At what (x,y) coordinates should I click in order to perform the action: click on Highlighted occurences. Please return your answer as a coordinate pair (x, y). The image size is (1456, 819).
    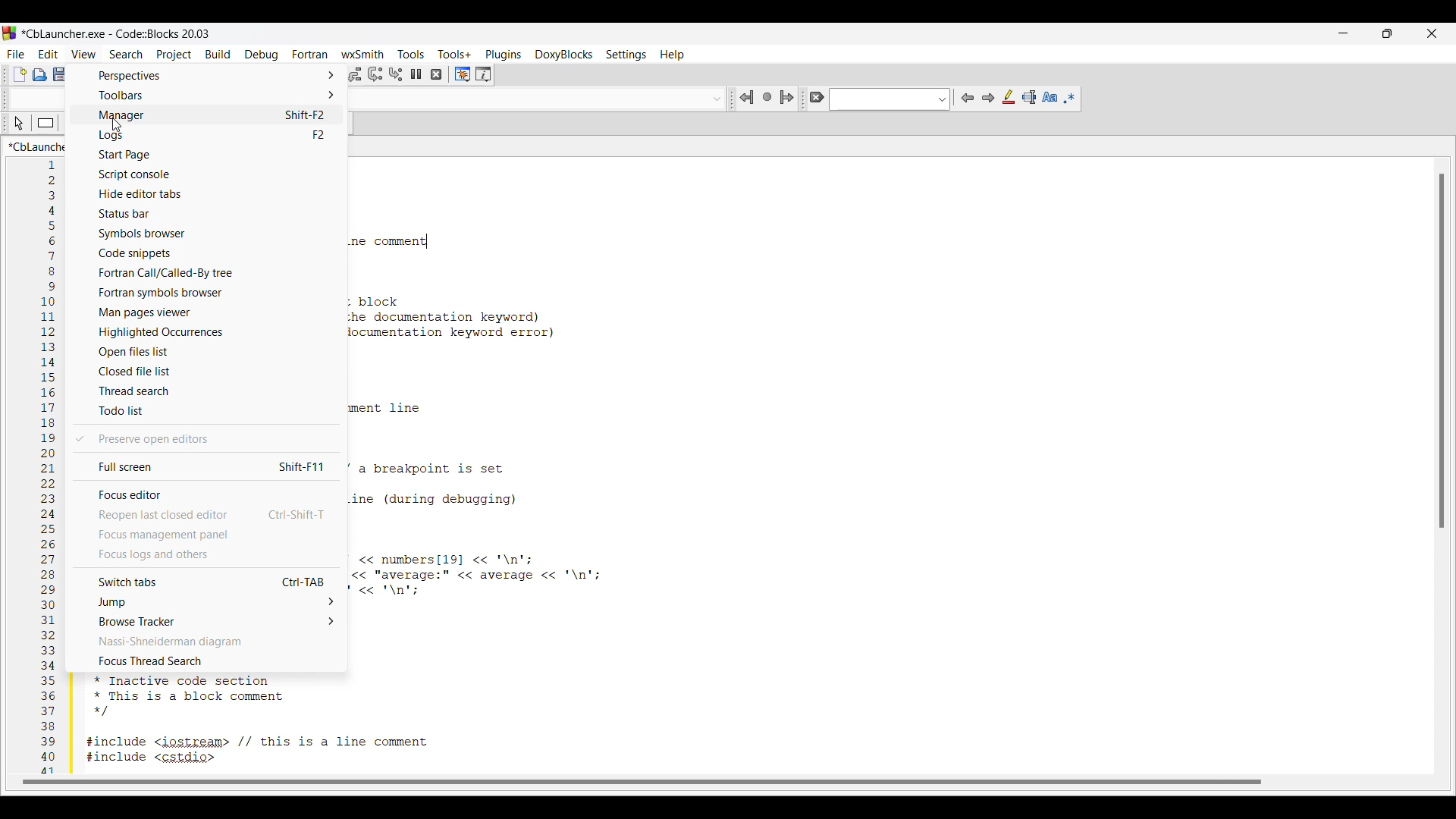
    Looking at the image, I should click on (209, 331).